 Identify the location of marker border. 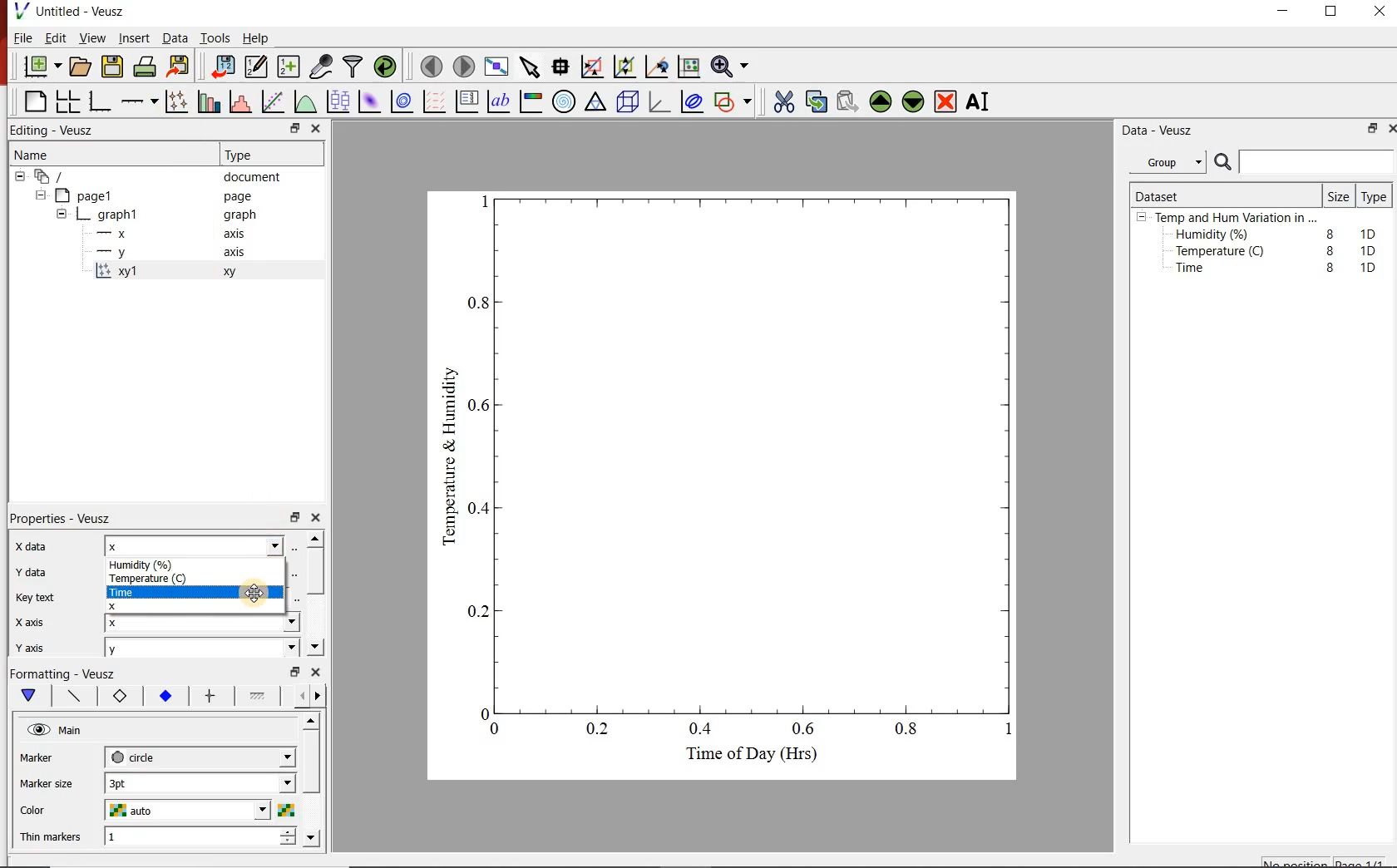
(121, 698).